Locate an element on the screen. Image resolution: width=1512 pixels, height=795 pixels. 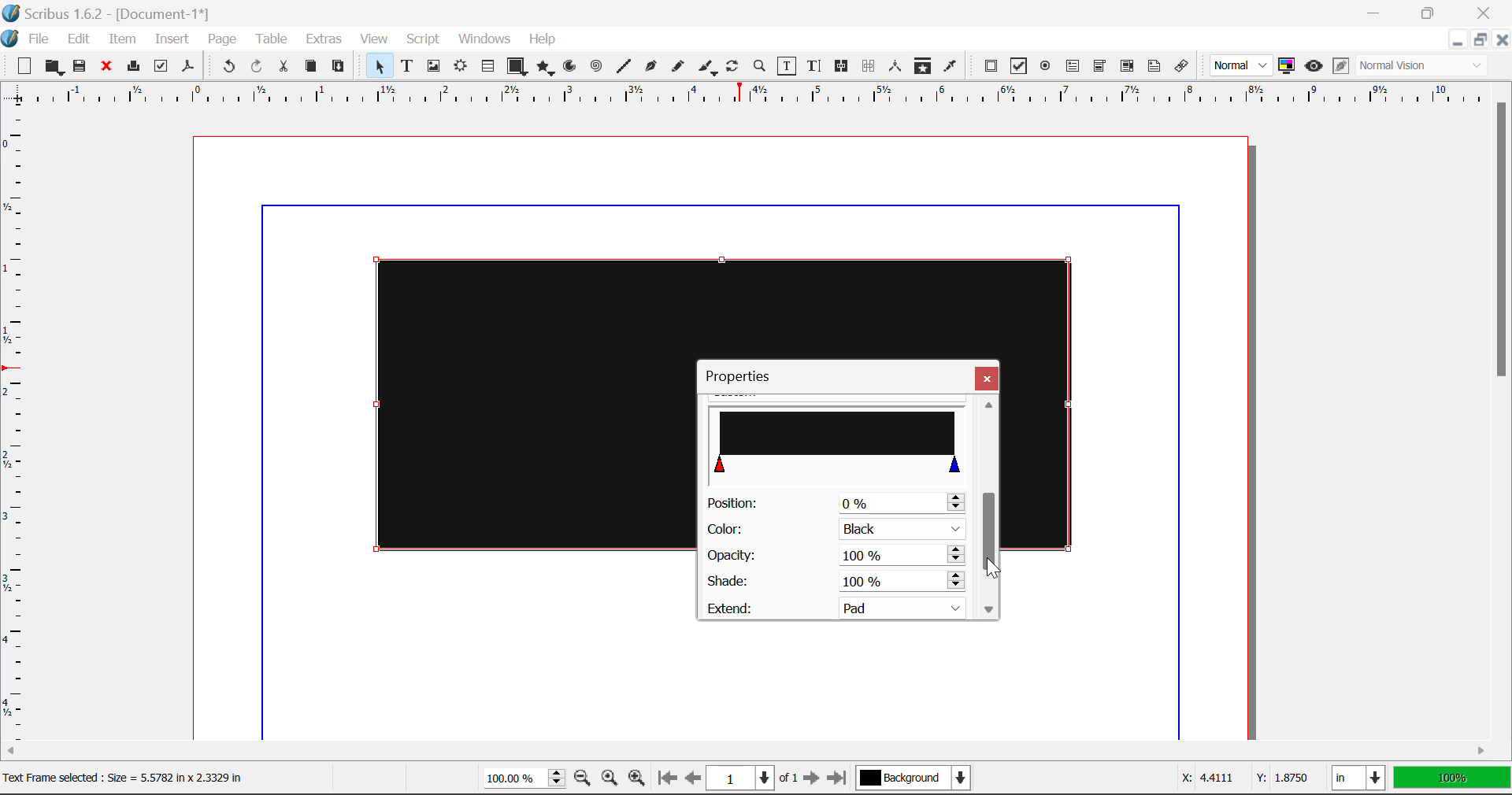
Line is located at coordinates (624, 67).